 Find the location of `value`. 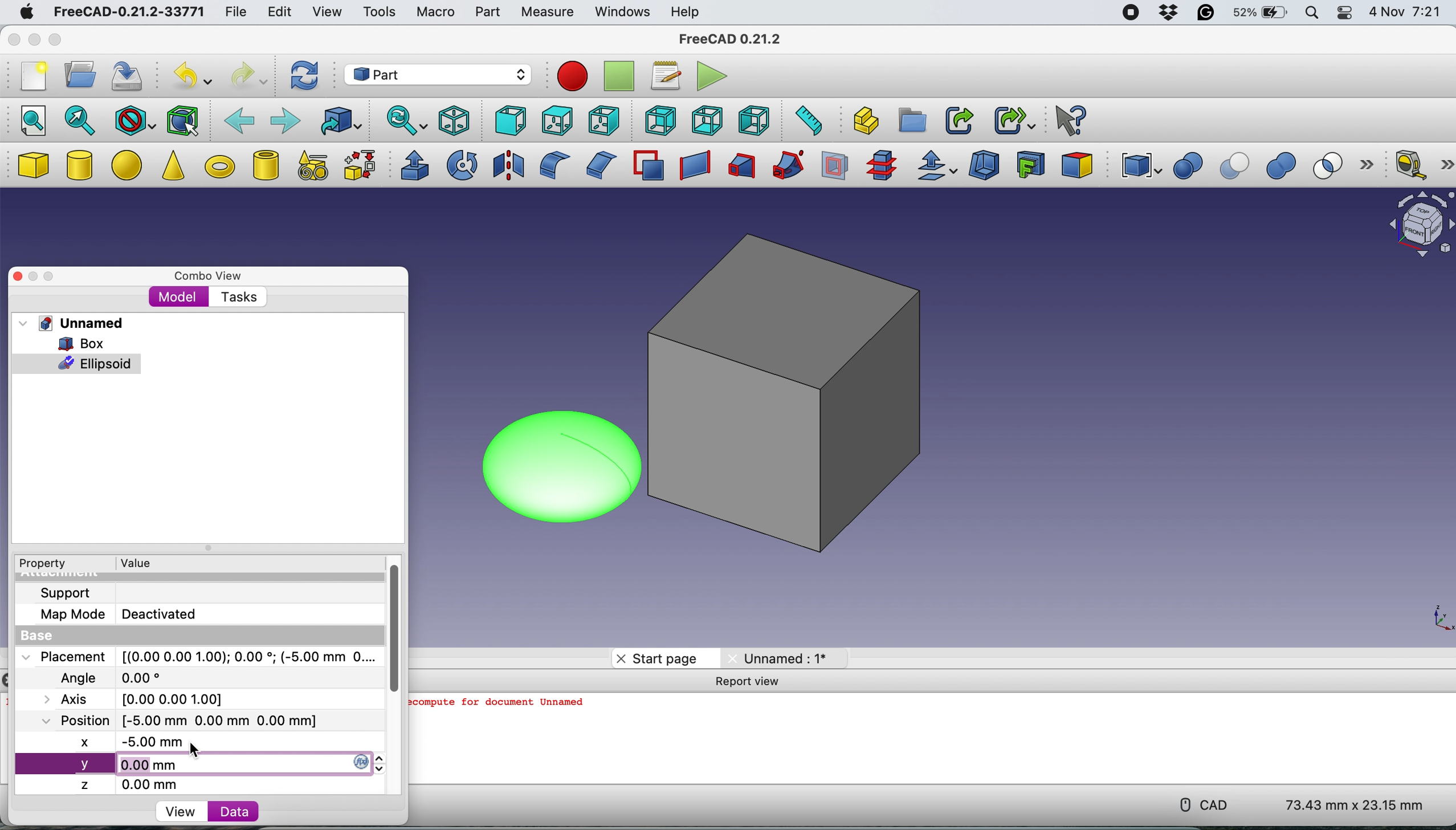

value is located at coordinates (134, 563).